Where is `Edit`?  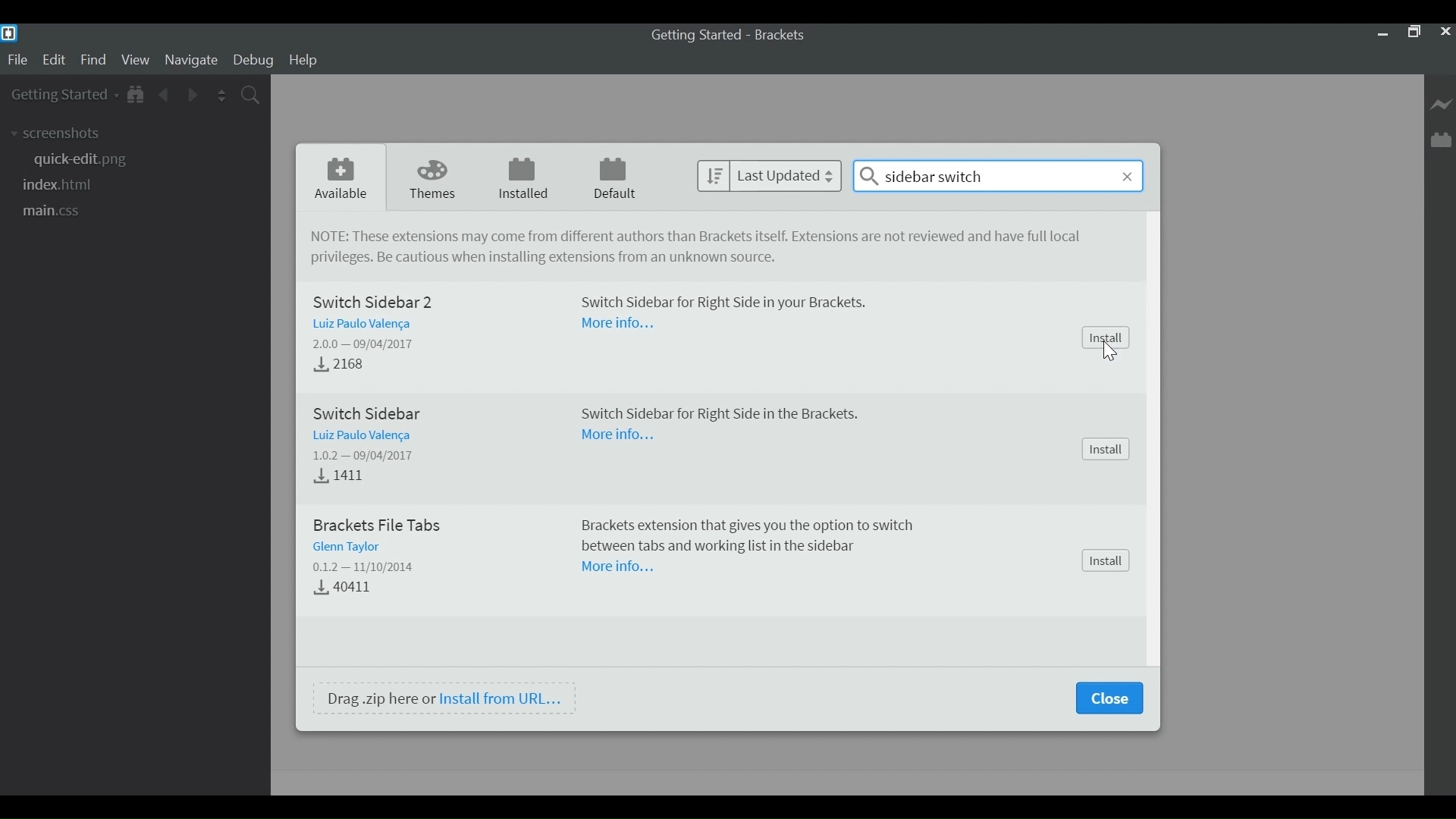 Edit is located at coordinates (55, 61).